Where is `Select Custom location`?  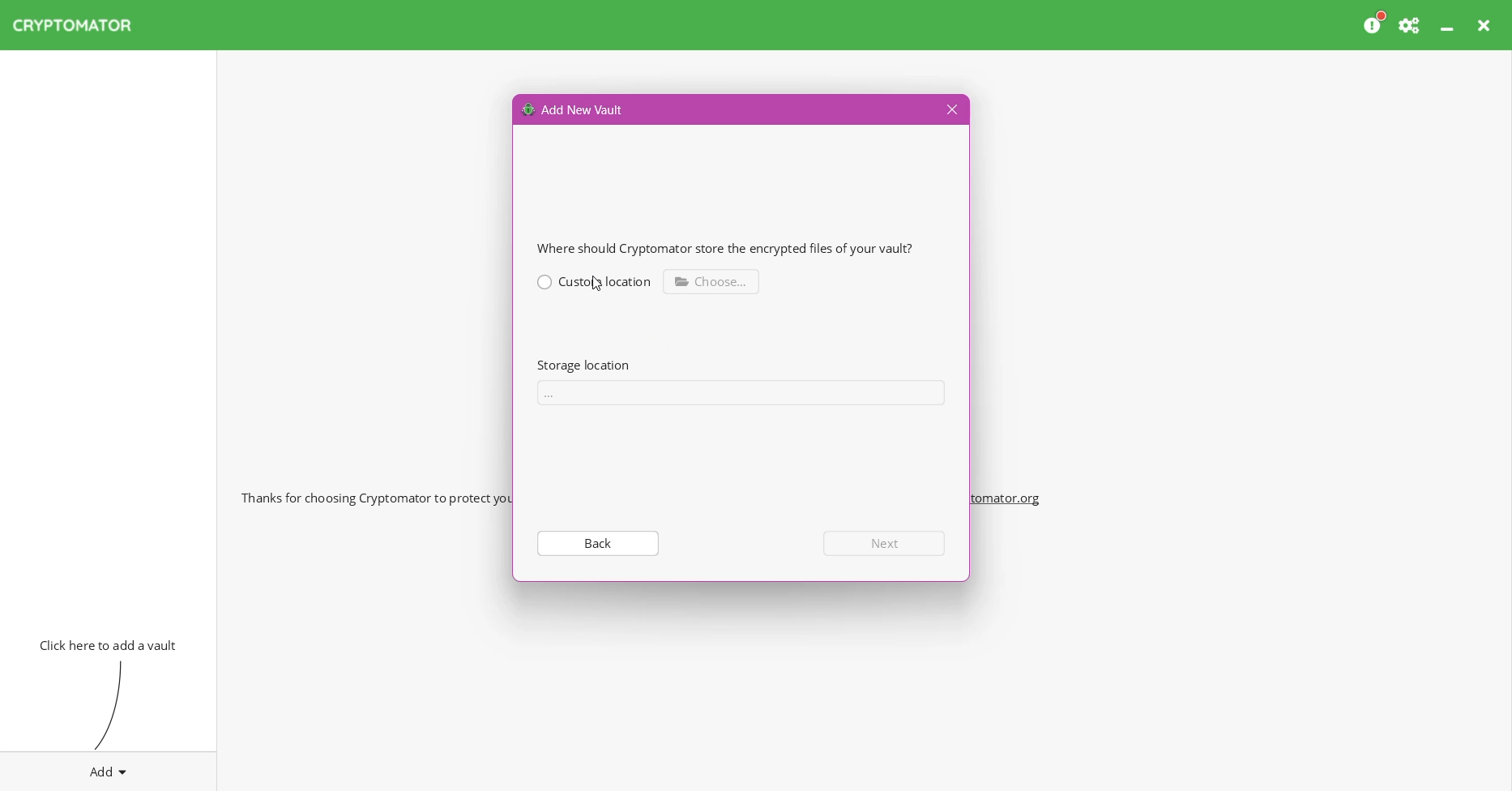
Select Custom location is located at coordinates (595, 280).